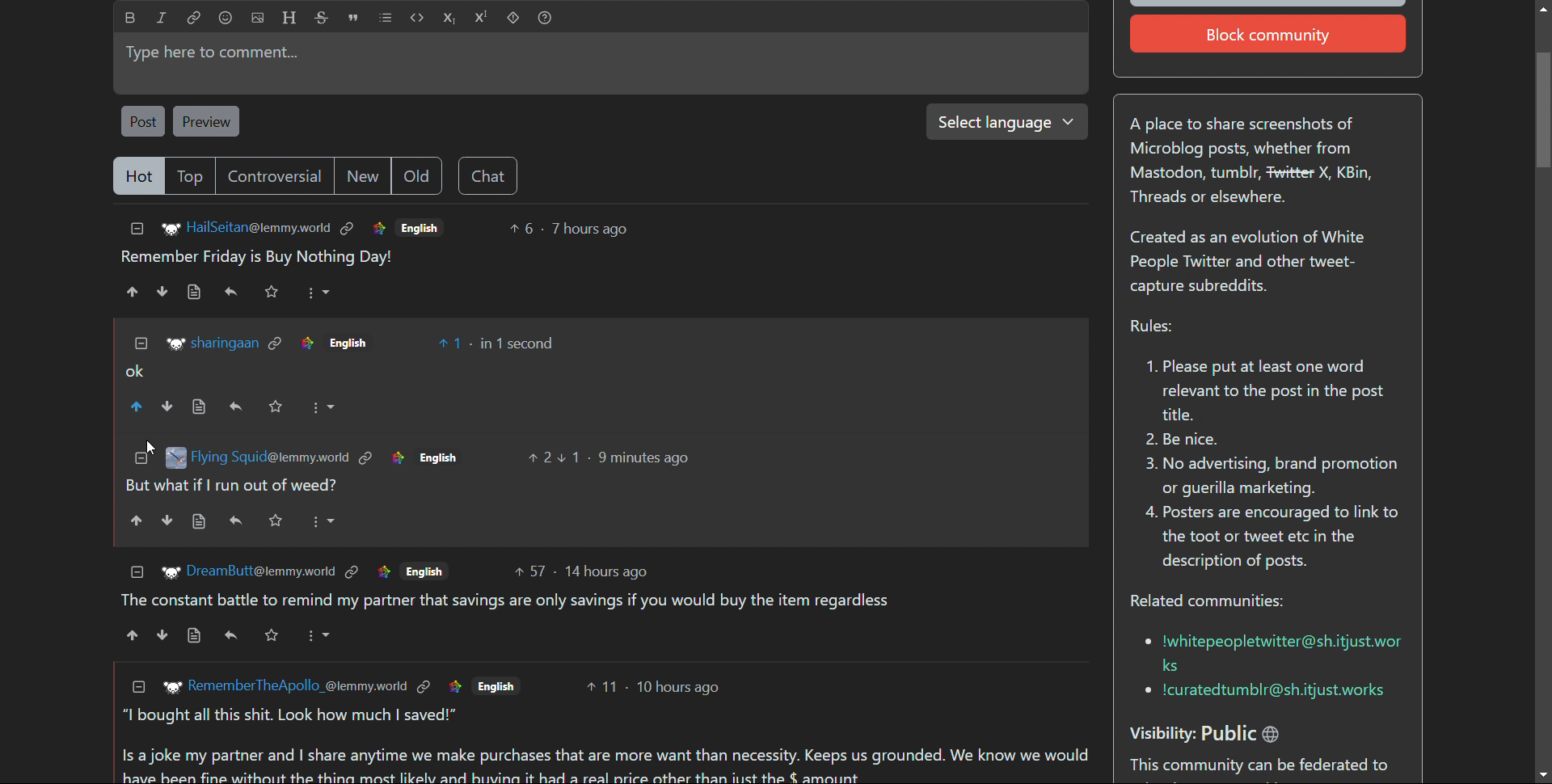 This screenshot has width=1552, height=784. What do you see at coordinates (327, 407) in the screenshot?
I see `more` at bounding box center [327, 407].